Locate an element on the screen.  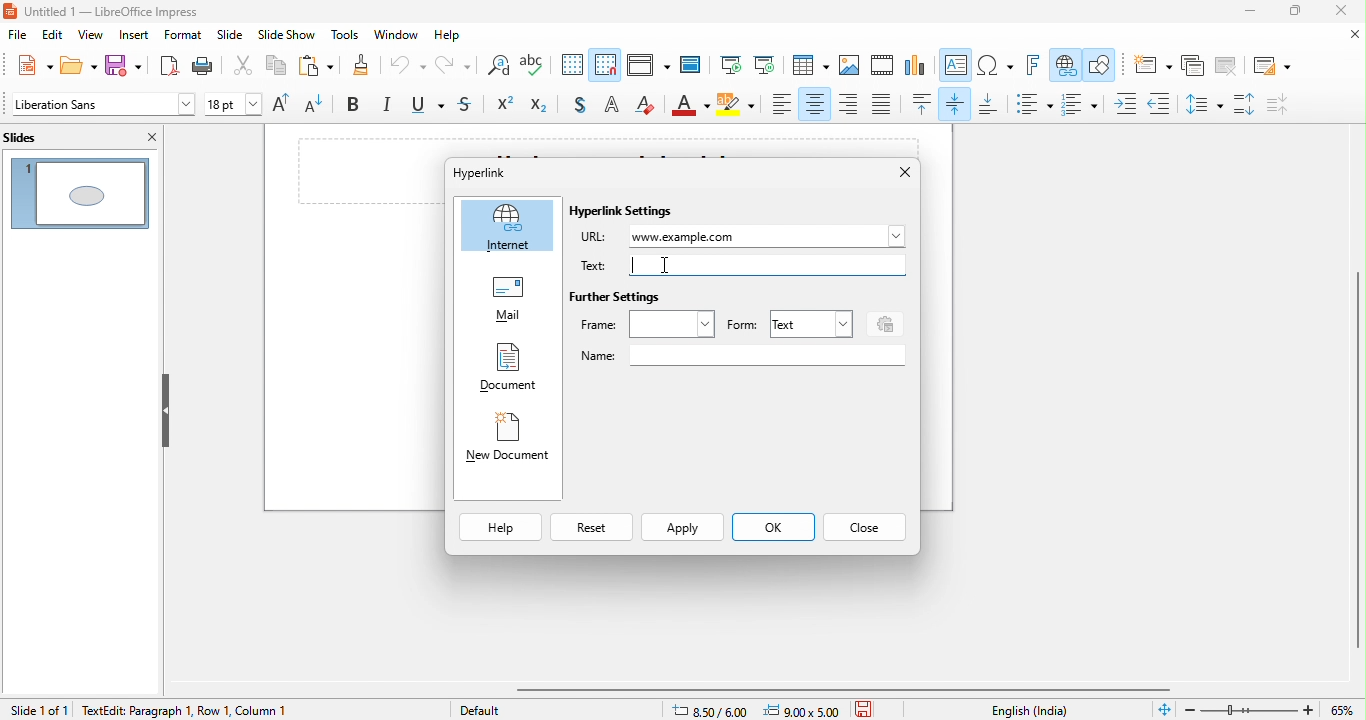
insert  is located at coordinates (135, 35).